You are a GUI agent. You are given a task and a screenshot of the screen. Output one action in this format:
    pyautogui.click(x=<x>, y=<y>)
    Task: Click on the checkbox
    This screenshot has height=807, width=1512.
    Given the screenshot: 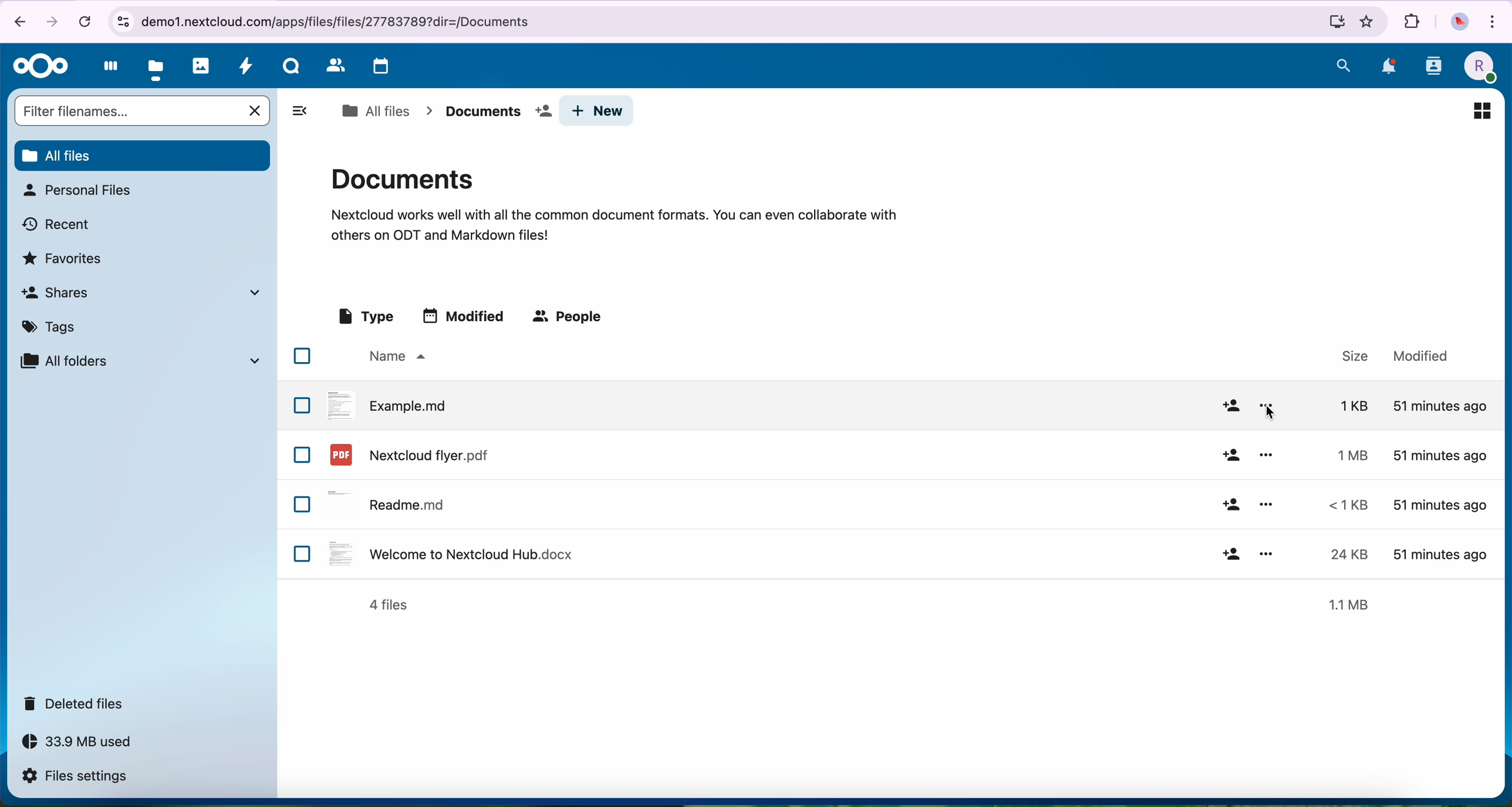 What is the action you would take?
    pyautogui.click(x=302, y=404)
    